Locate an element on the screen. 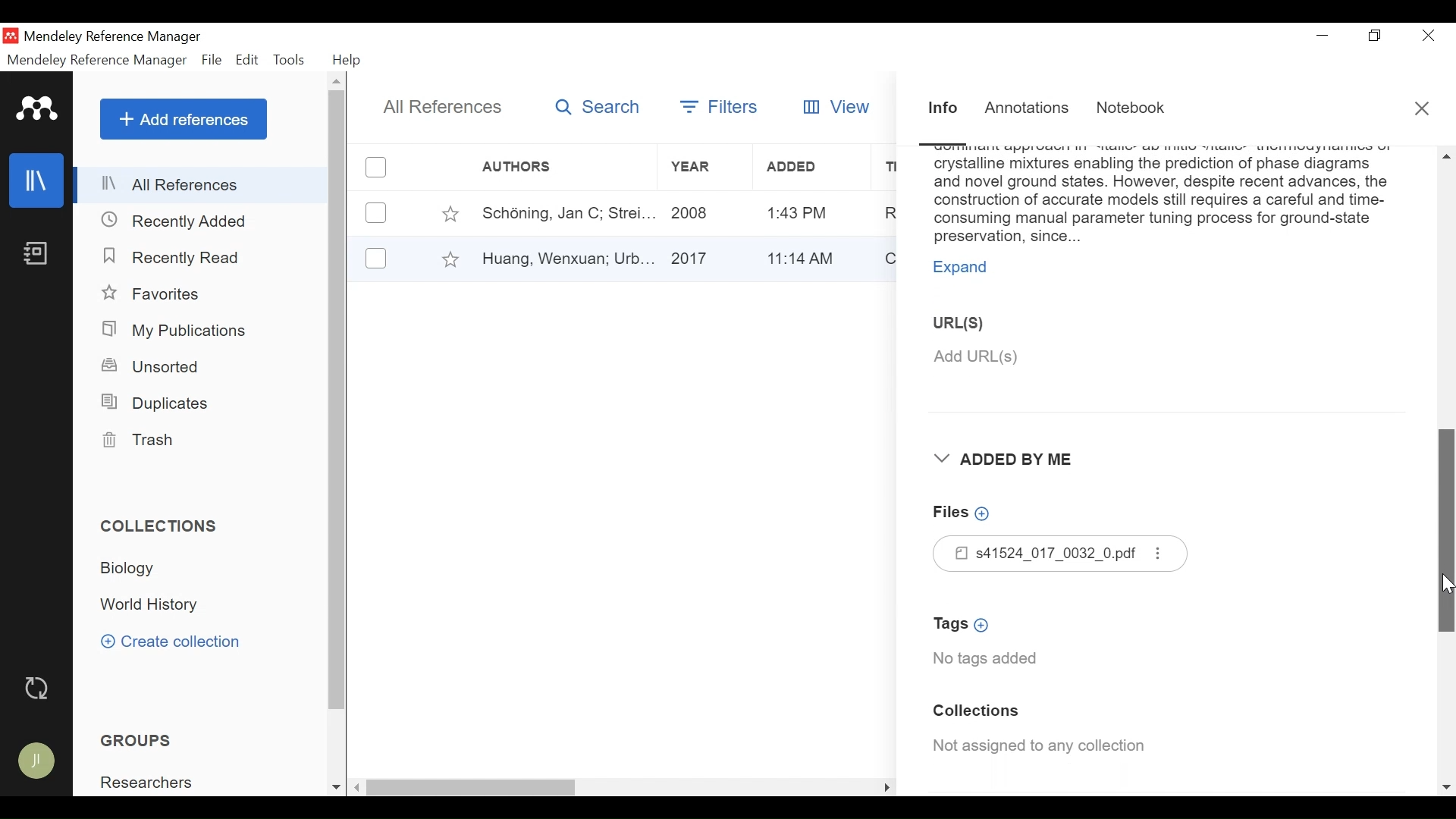  Add References is located at coordinates (184, 119).